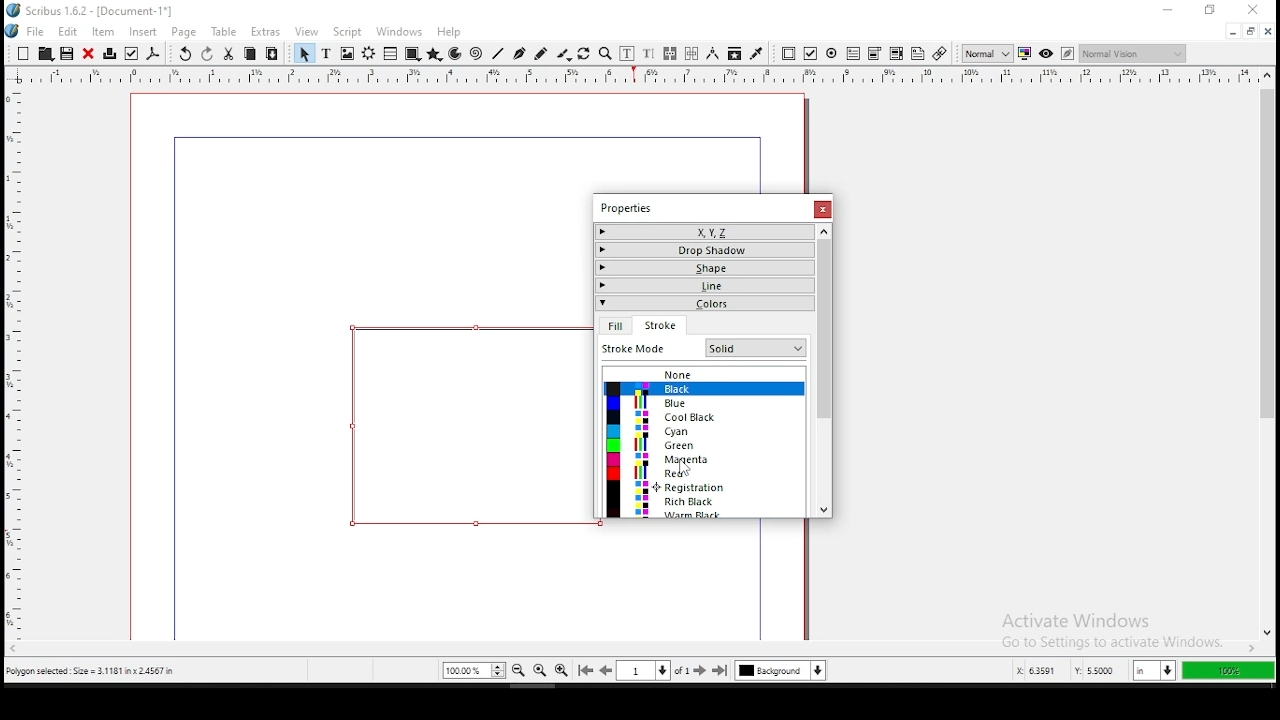  Describe the element at coordinates (810, 54) in the screenshot. I see `pdf checkbox` at that location.